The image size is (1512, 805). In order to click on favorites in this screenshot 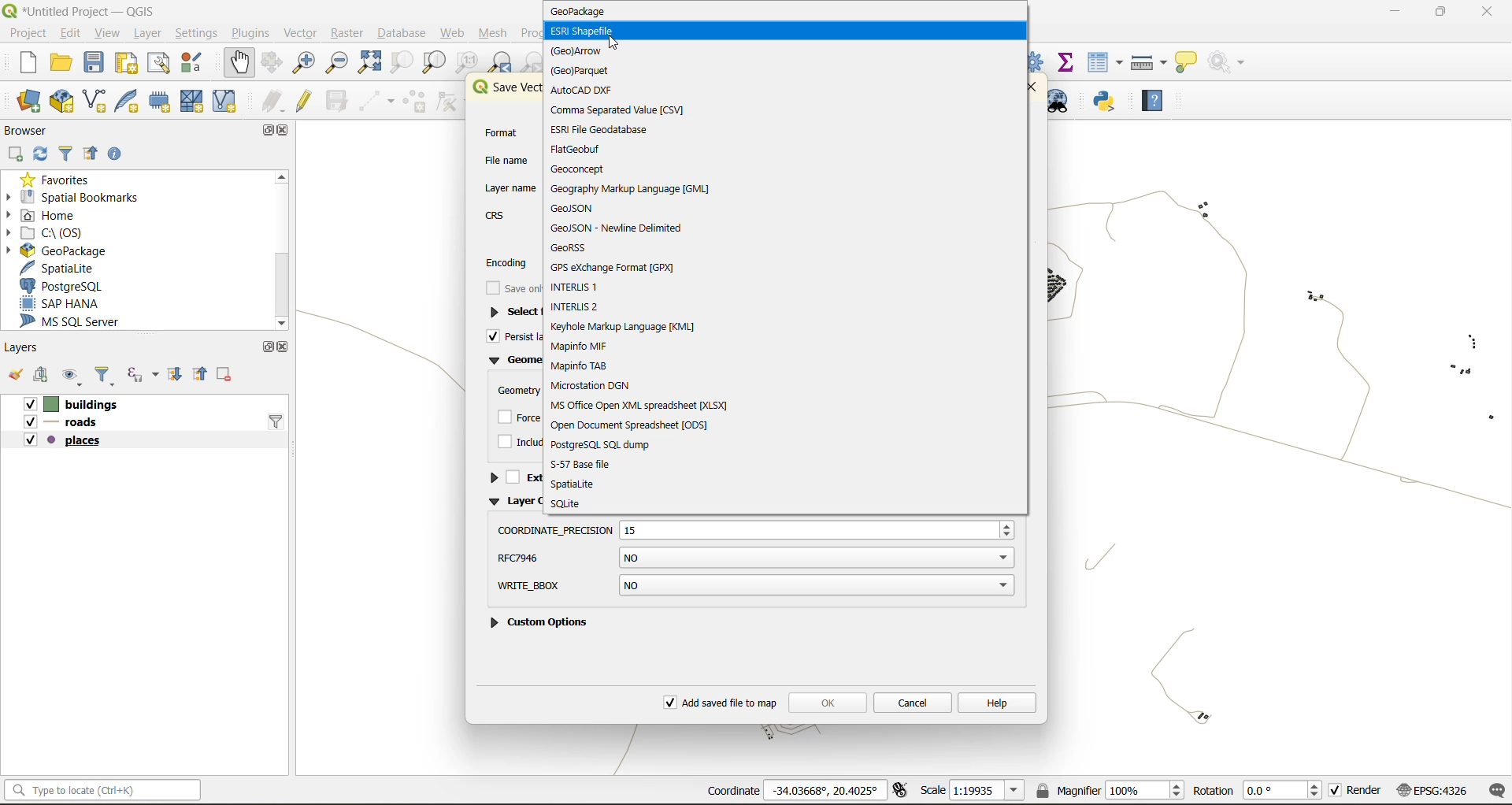, I will do `click(61, 180)`.